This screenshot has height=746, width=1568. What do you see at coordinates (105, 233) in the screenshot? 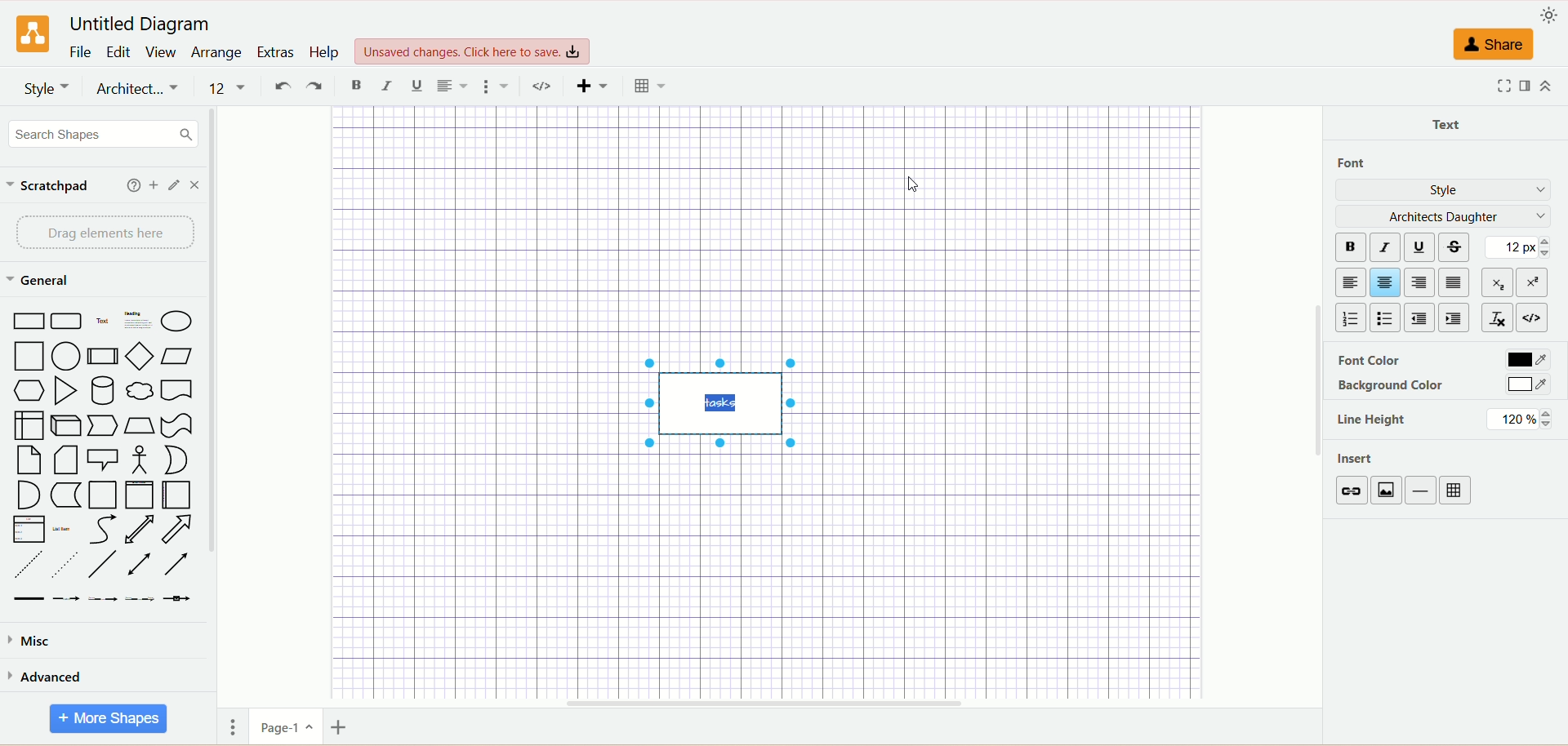
I see `drag elements here` at bounding box center [105, 233].